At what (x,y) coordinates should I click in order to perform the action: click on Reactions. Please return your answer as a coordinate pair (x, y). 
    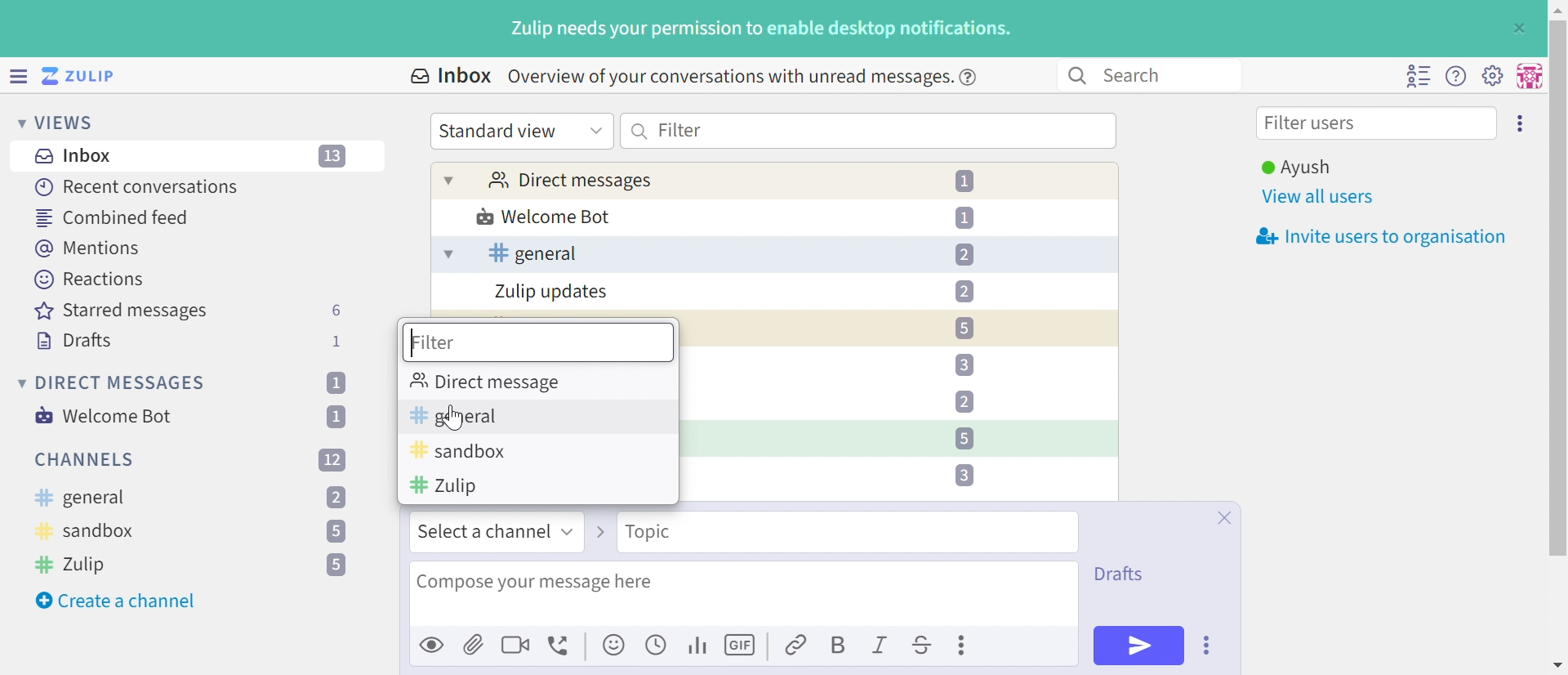
    Looking at the image, I should click on (89, 279).